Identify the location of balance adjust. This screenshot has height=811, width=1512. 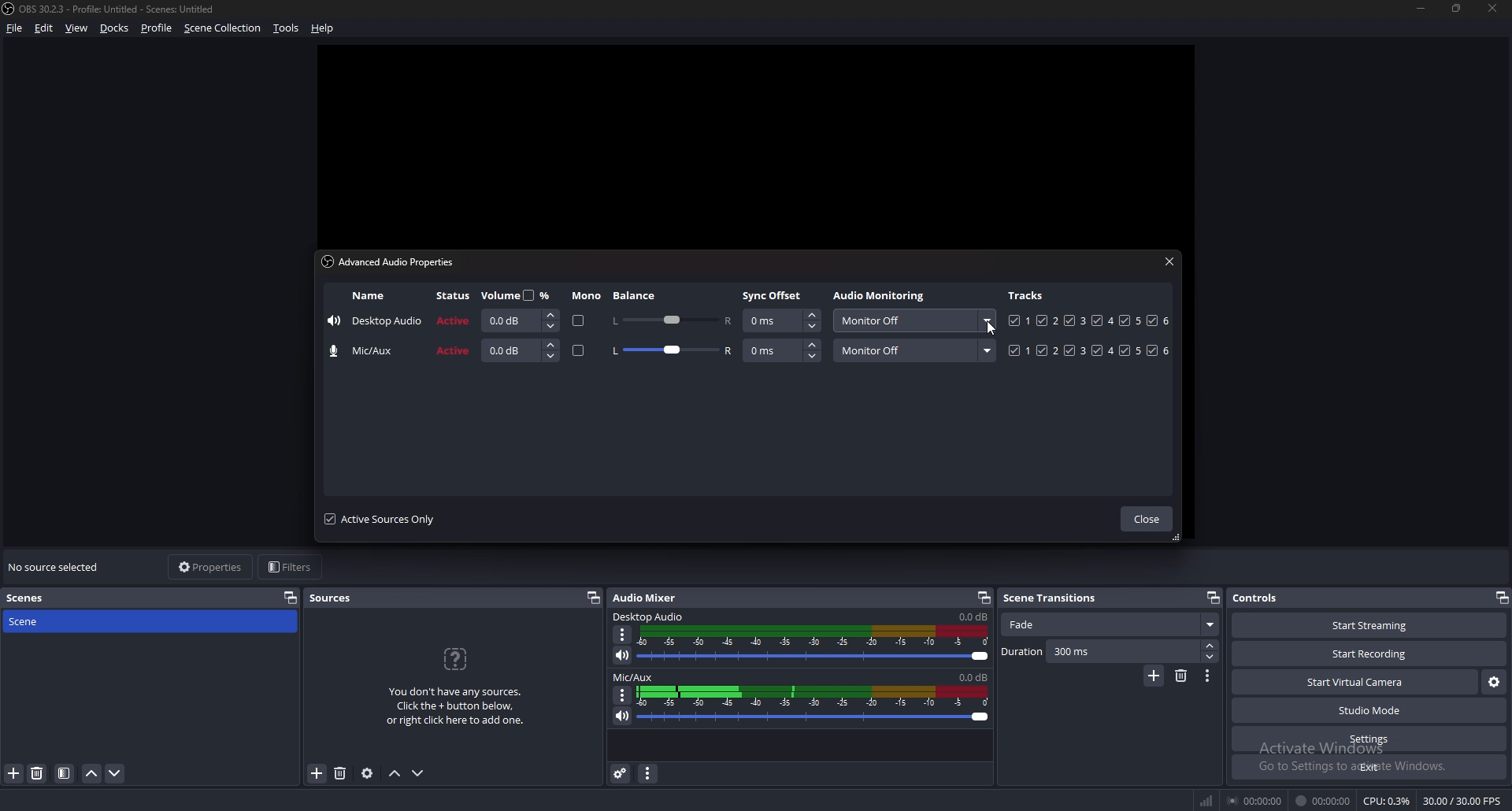
(672, 352).